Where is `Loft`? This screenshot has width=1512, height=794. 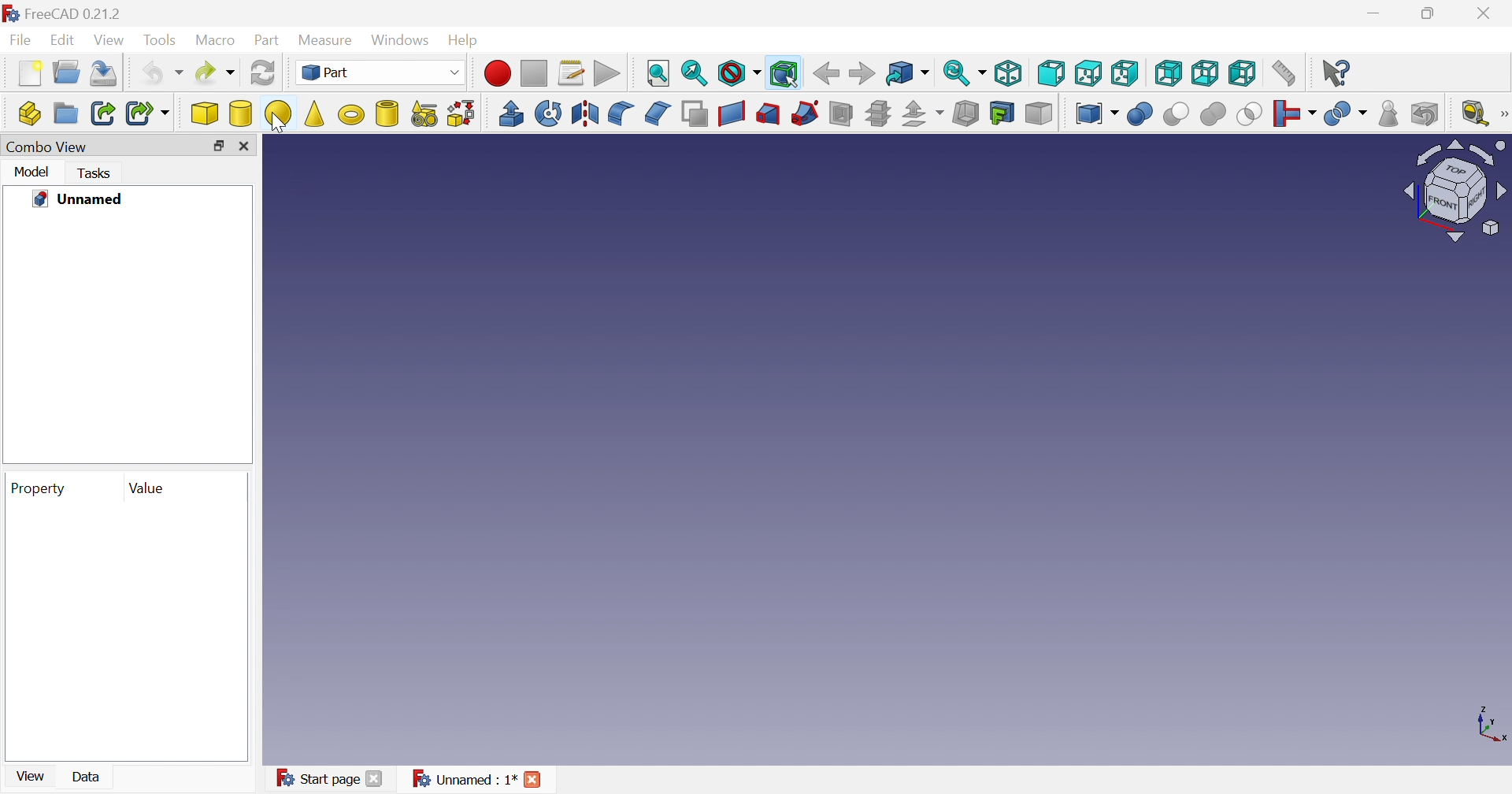 Loft is located at coordinates (769, 114).